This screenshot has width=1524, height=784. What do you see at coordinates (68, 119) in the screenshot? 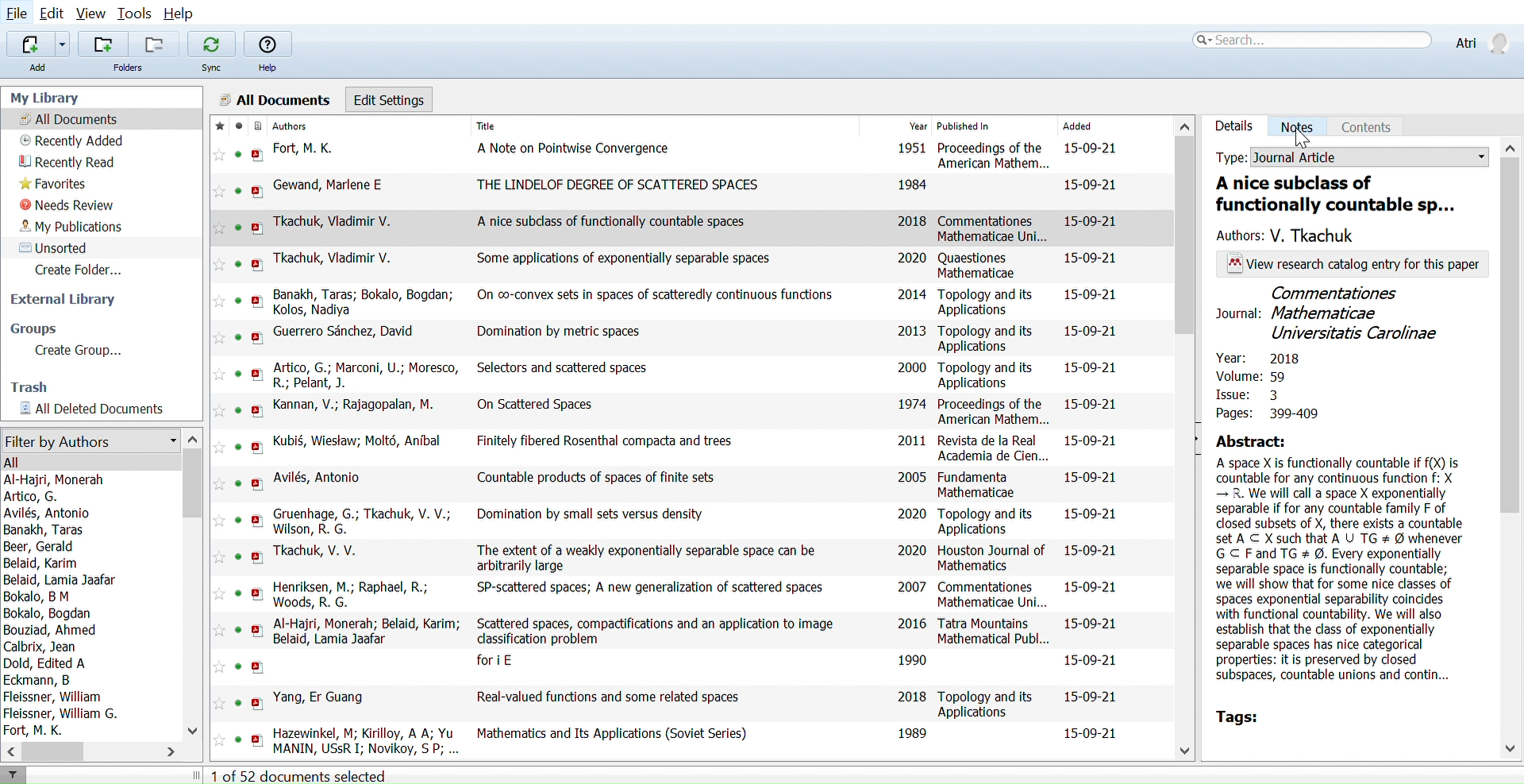
I see `All documents` at bounding box center [68, 119].